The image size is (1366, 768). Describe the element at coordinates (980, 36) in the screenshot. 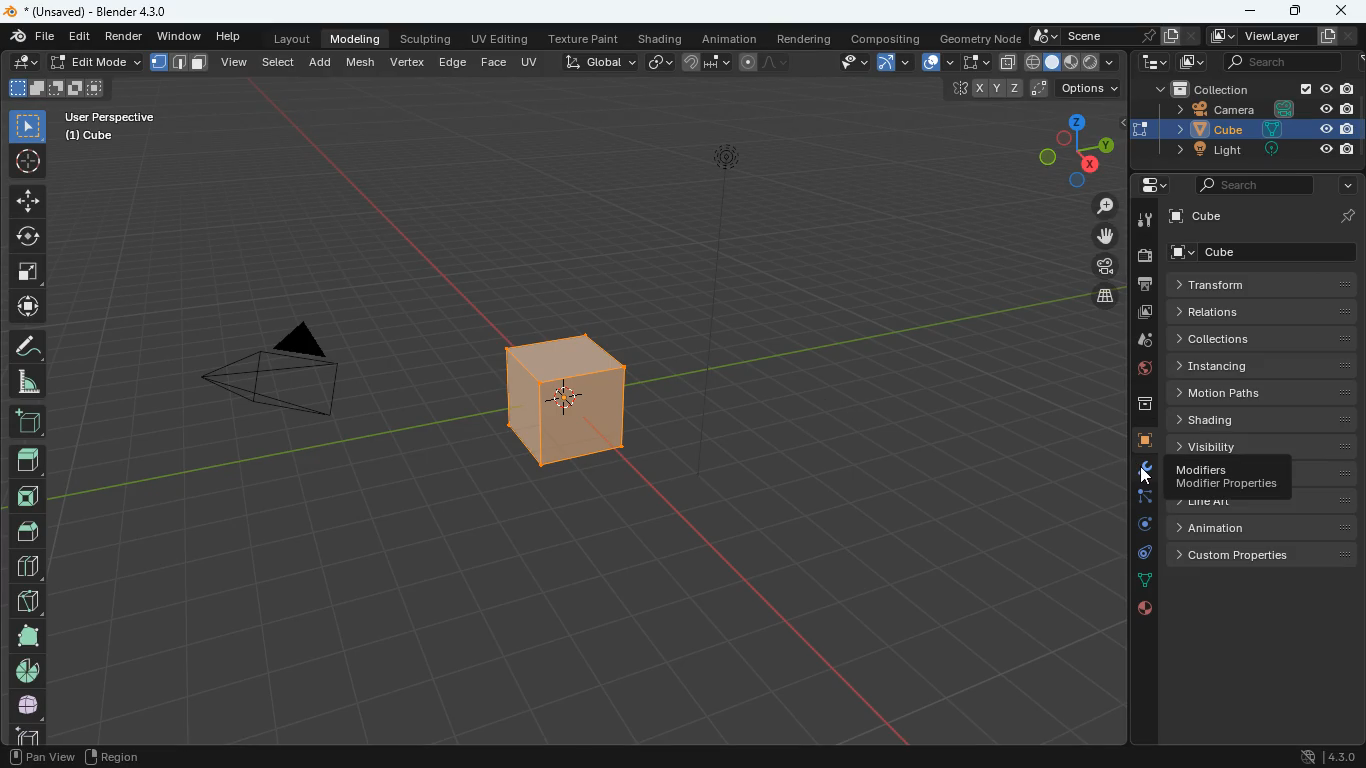

I see `geometry node` at that location.